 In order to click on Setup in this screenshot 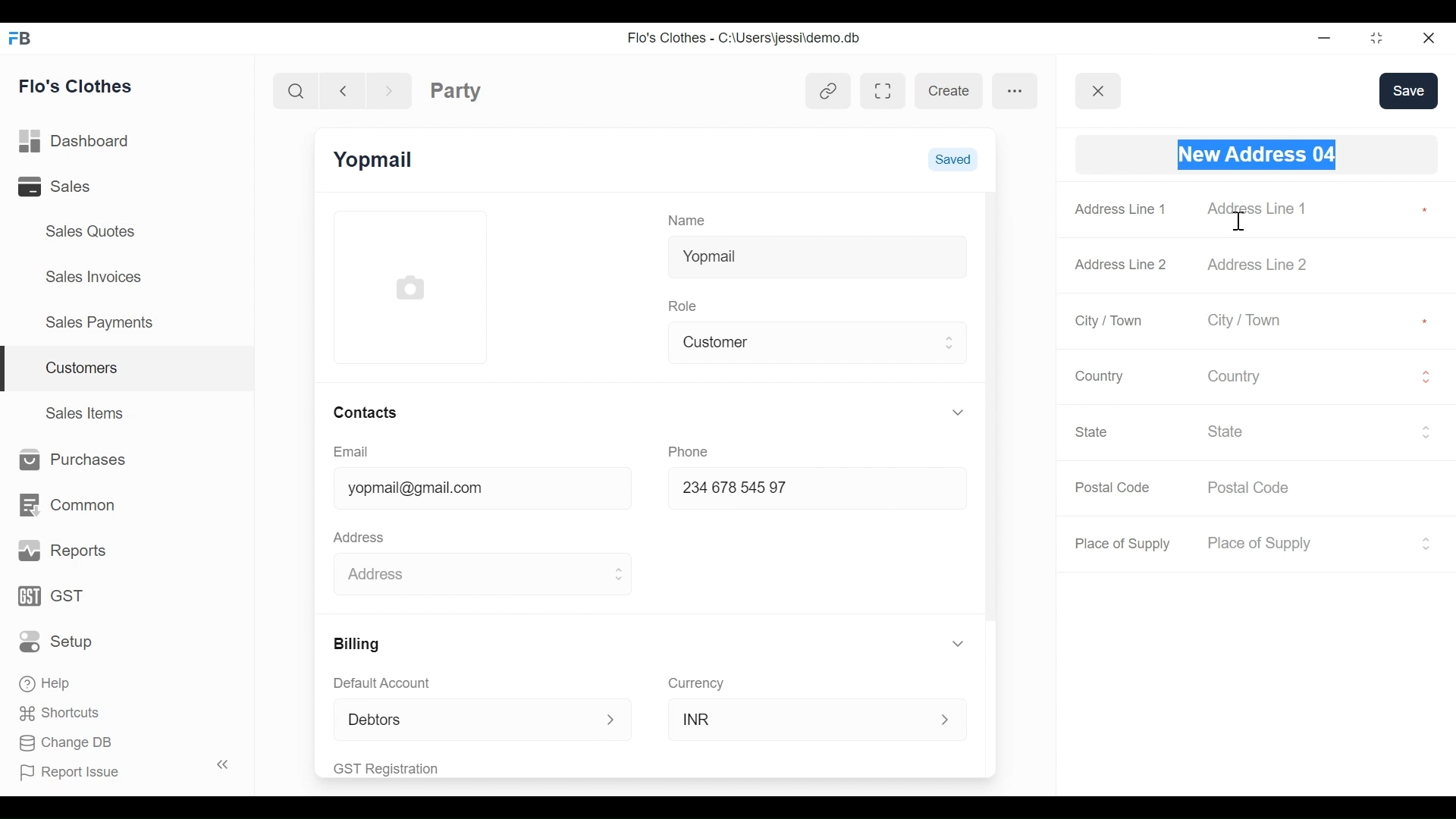, I will do `click(60, 641)`.